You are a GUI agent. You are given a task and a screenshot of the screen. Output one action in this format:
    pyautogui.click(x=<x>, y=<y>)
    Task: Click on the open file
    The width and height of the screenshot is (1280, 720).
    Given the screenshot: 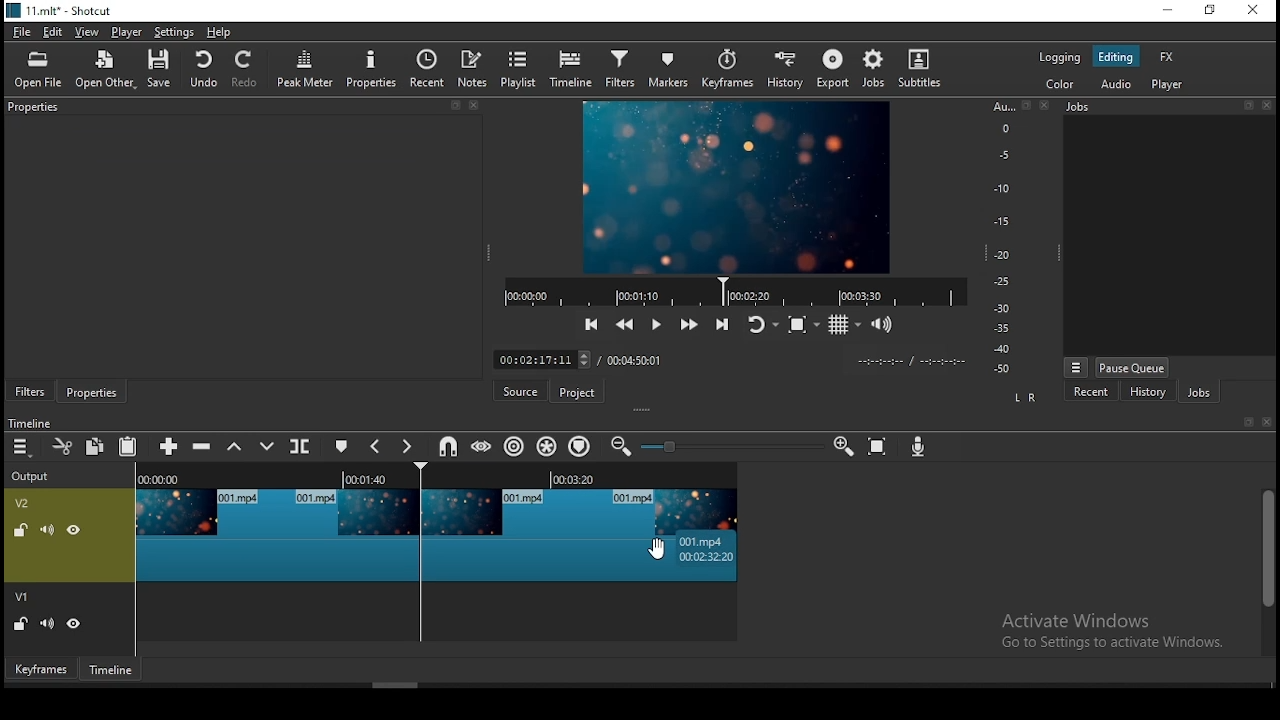 What is the action you would take?
    pyautogui.click(x=38, y=67)
    